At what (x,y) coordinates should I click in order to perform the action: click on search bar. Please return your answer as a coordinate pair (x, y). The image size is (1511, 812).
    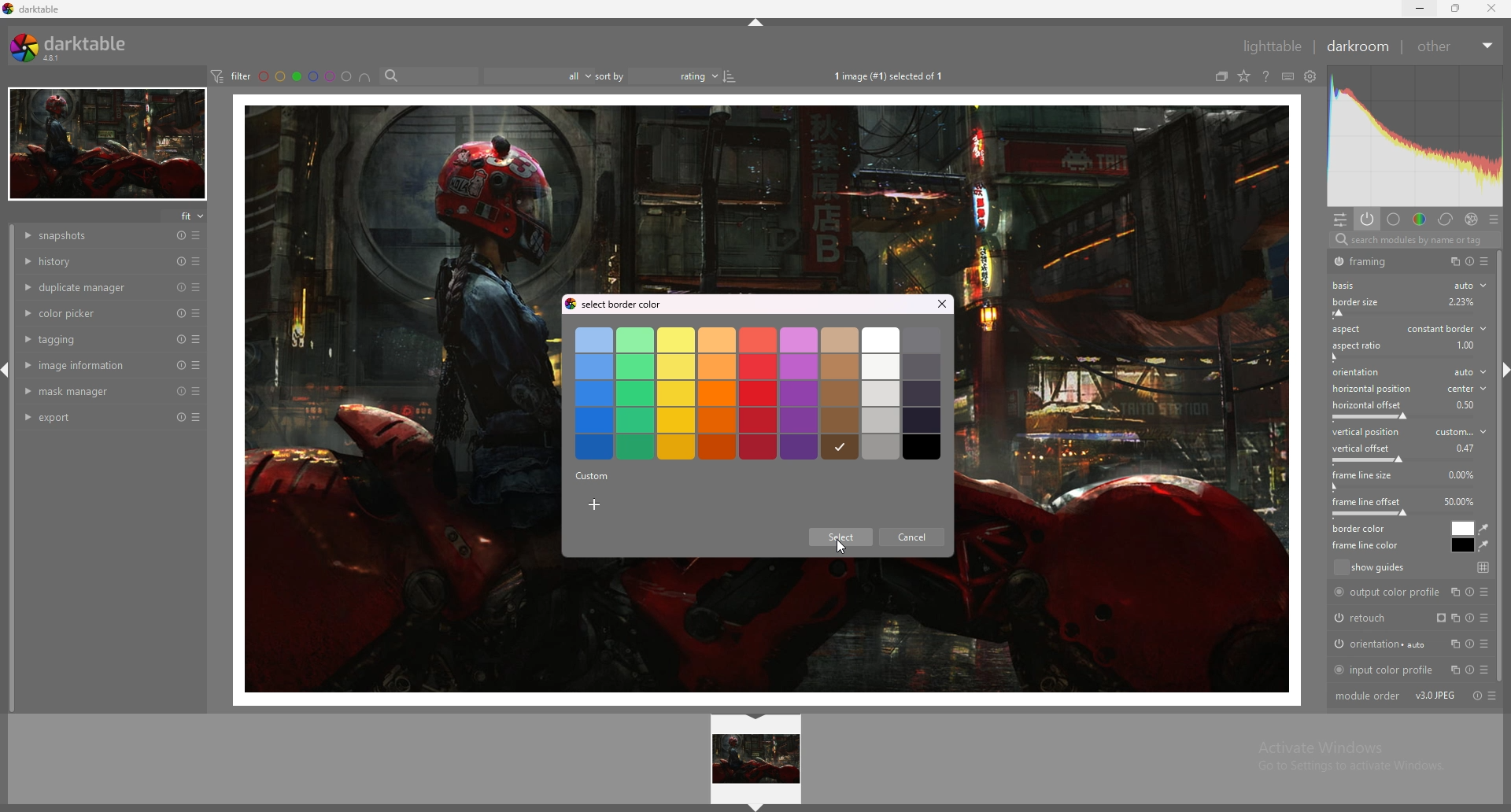
    Looking at the image, I should click on (427, 75).